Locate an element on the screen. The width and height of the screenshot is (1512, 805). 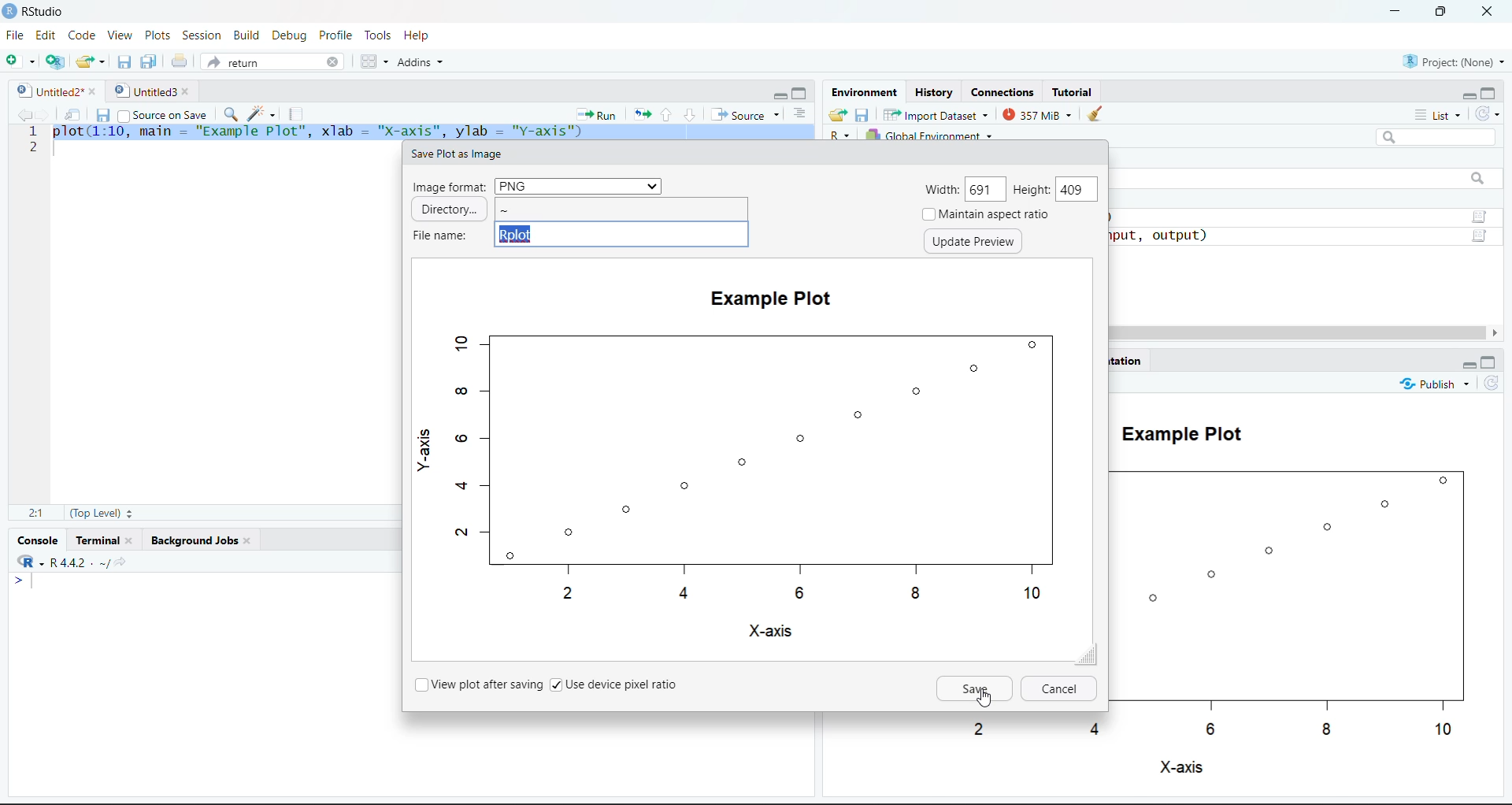
return is located at coordinates (271, 61).